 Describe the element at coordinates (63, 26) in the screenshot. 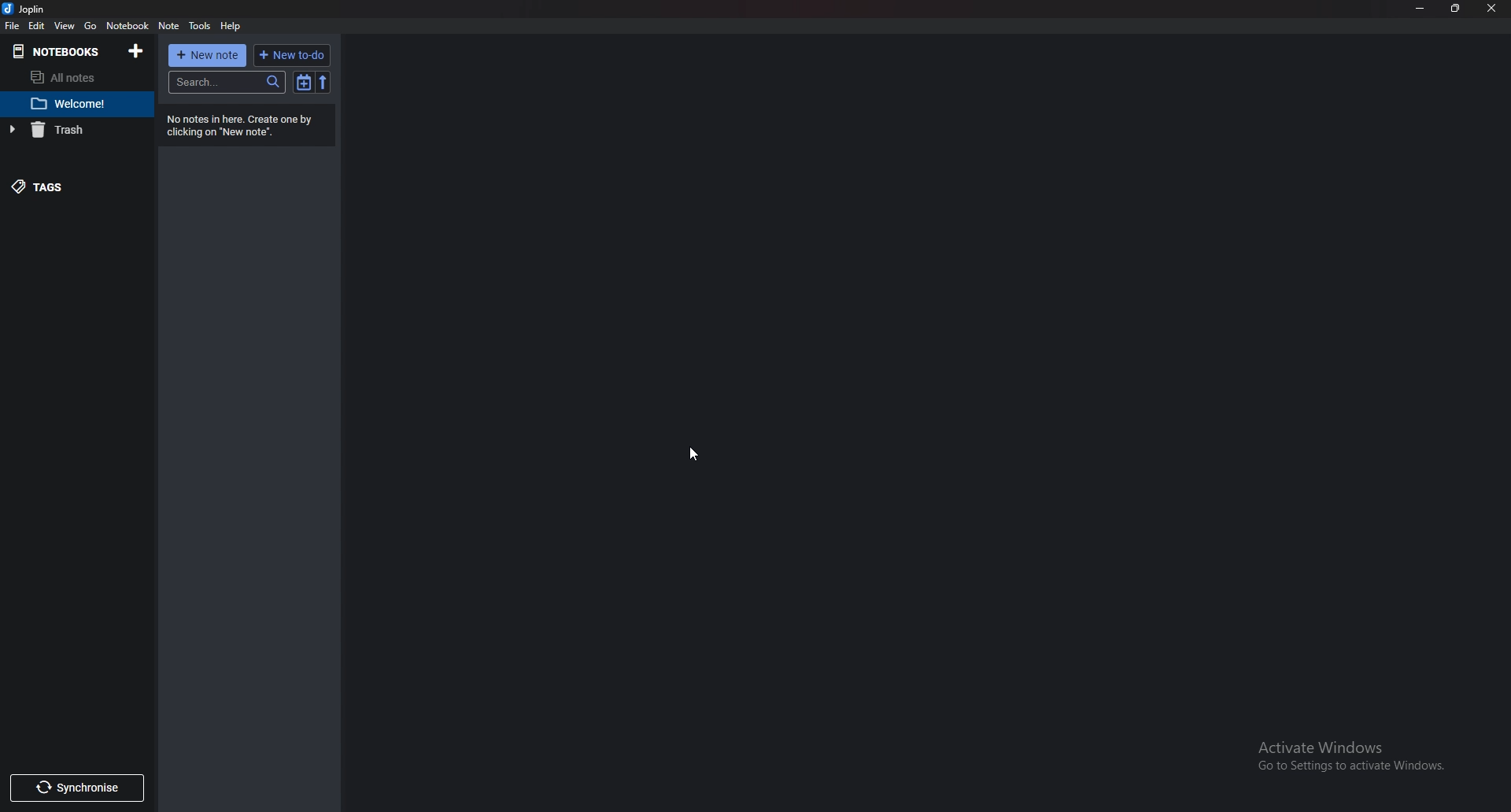

I see `view` at that location.